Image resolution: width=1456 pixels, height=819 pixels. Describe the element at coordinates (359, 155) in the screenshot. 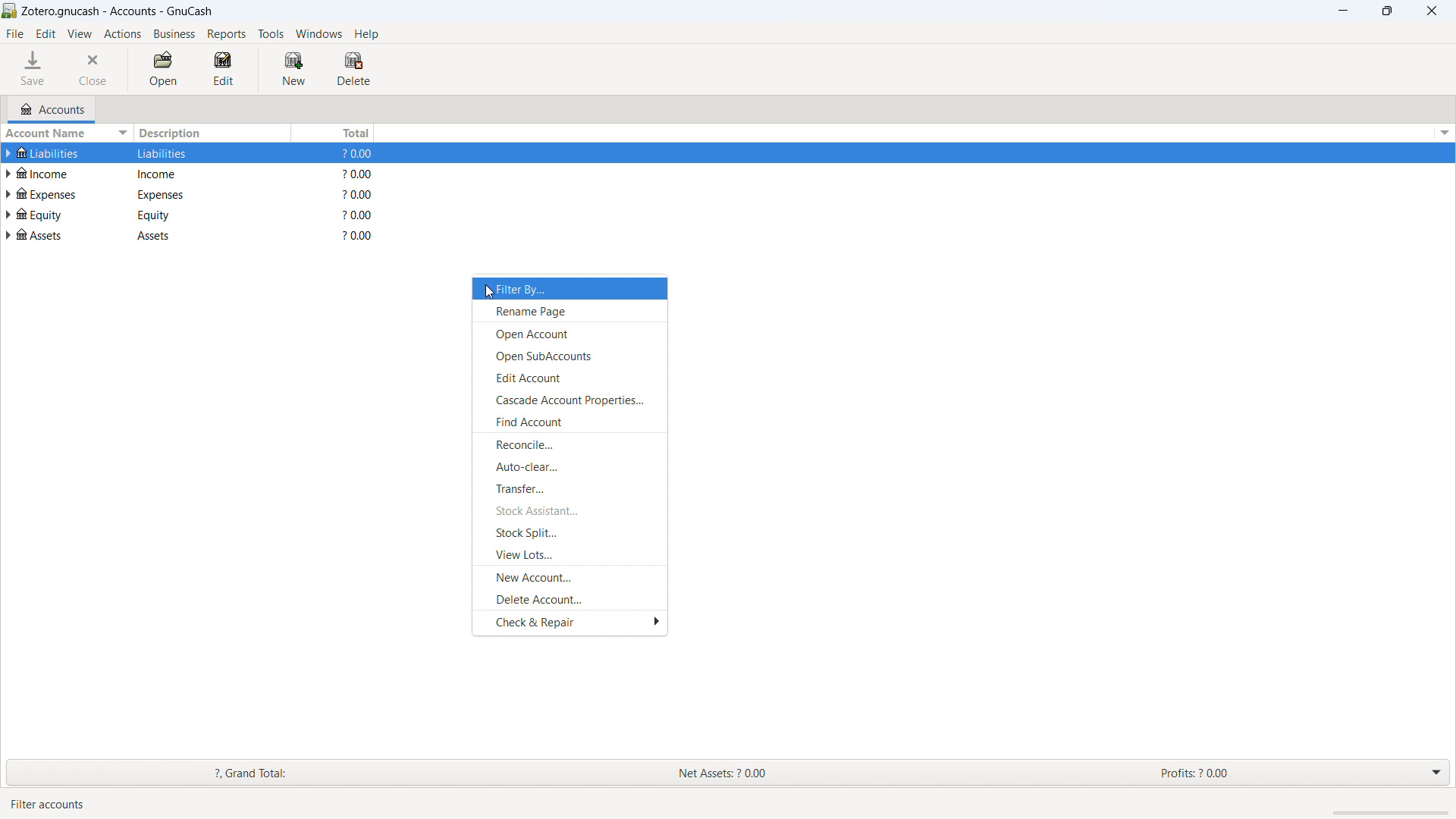

I see `$0.00` at that location.